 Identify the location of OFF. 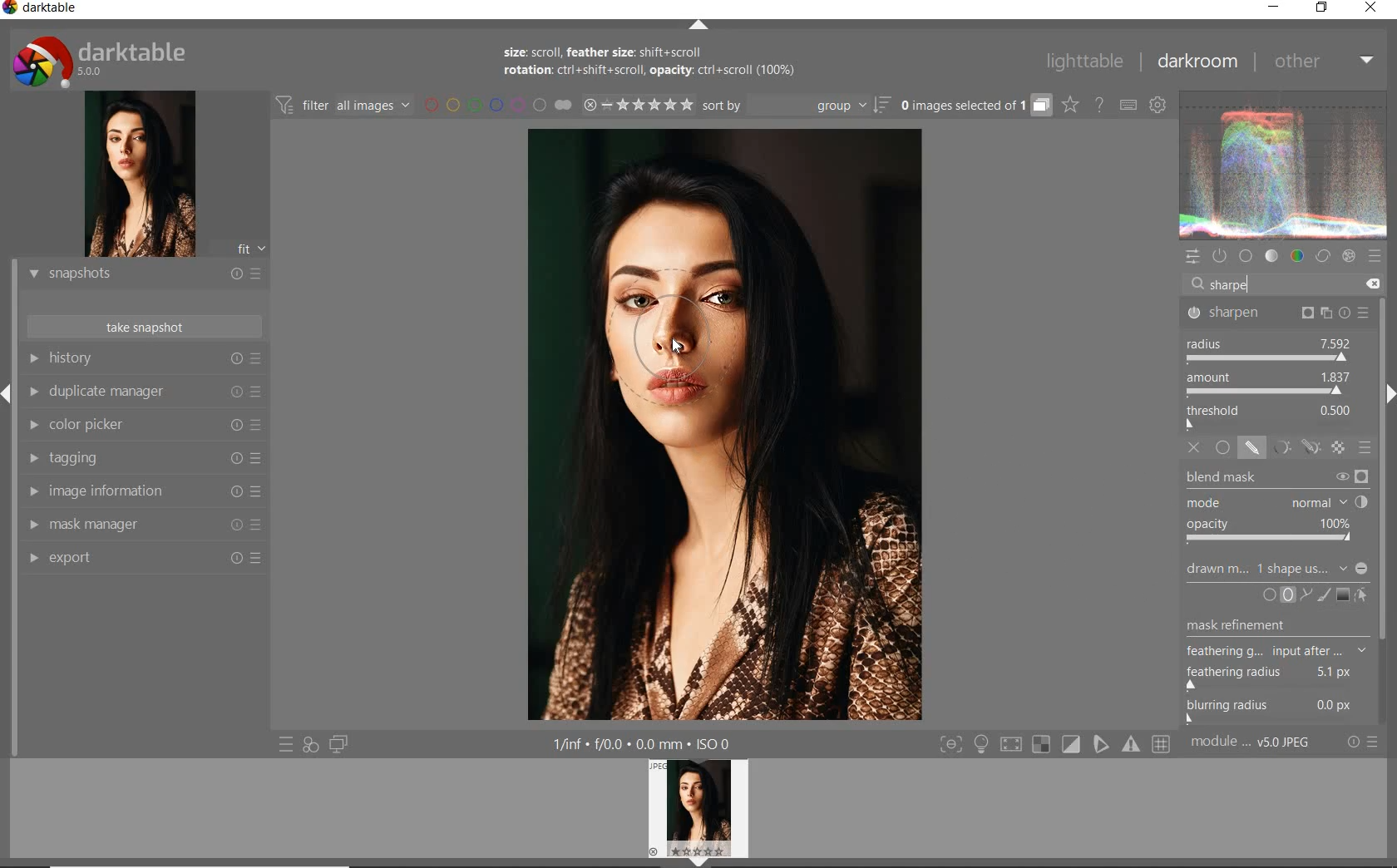
(1195, 447).